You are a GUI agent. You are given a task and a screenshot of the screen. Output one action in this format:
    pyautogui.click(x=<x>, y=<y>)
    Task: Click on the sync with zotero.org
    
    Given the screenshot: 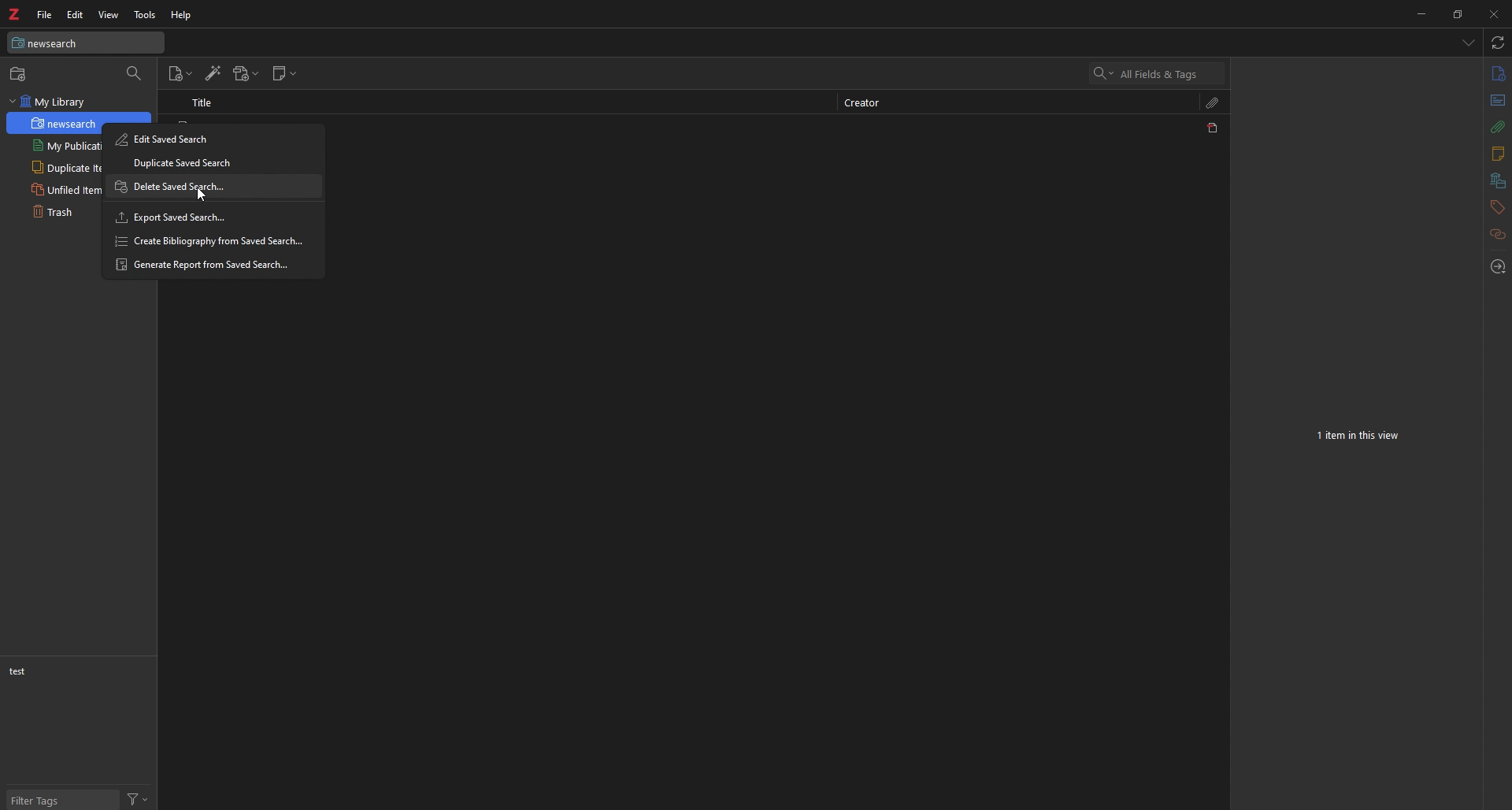 What is the action you would take?
    pyautogui.click(x=1499, y=43)
    